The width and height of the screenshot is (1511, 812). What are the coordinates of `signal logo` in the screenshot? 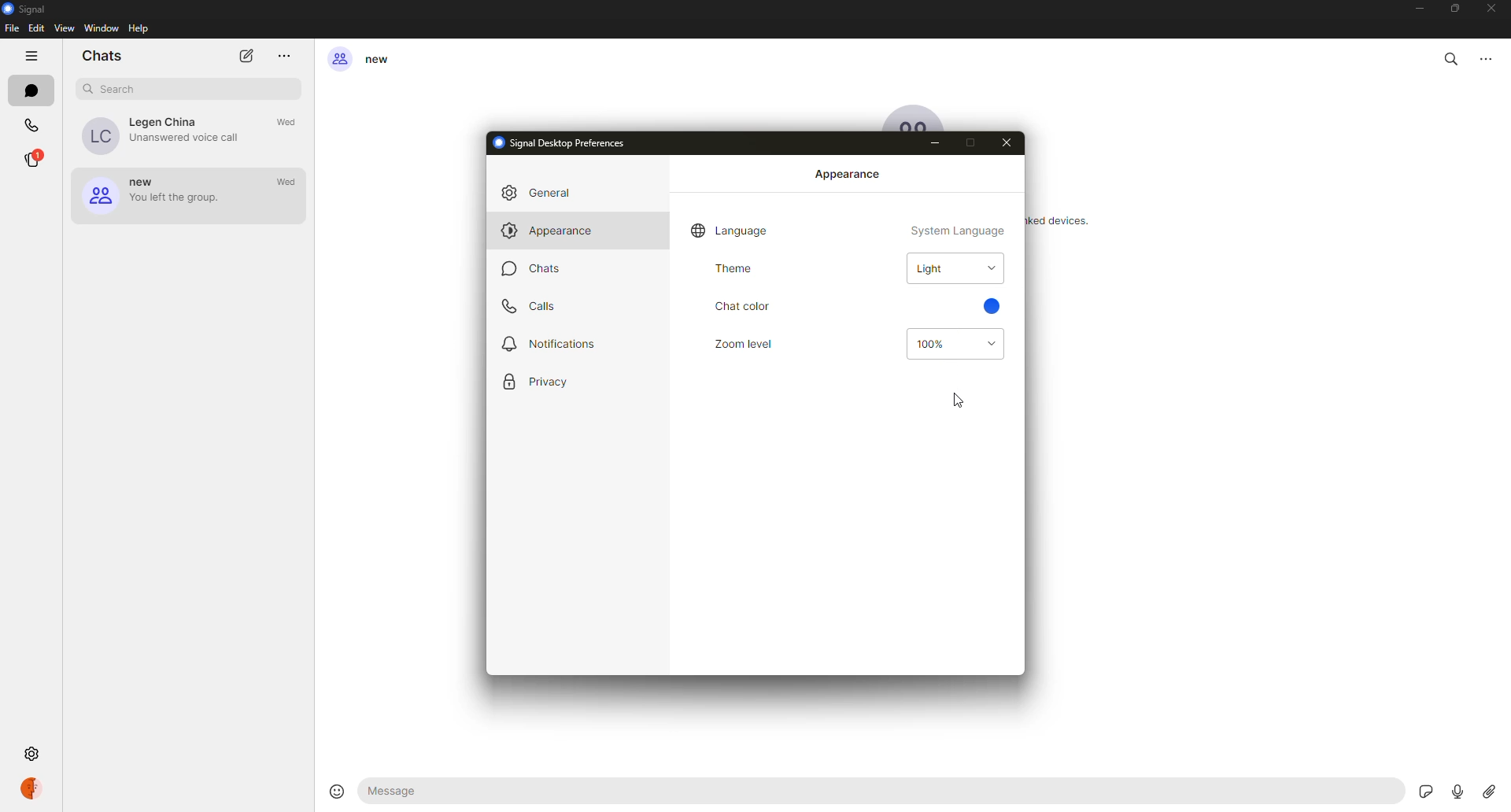 It's located at (29, 9).